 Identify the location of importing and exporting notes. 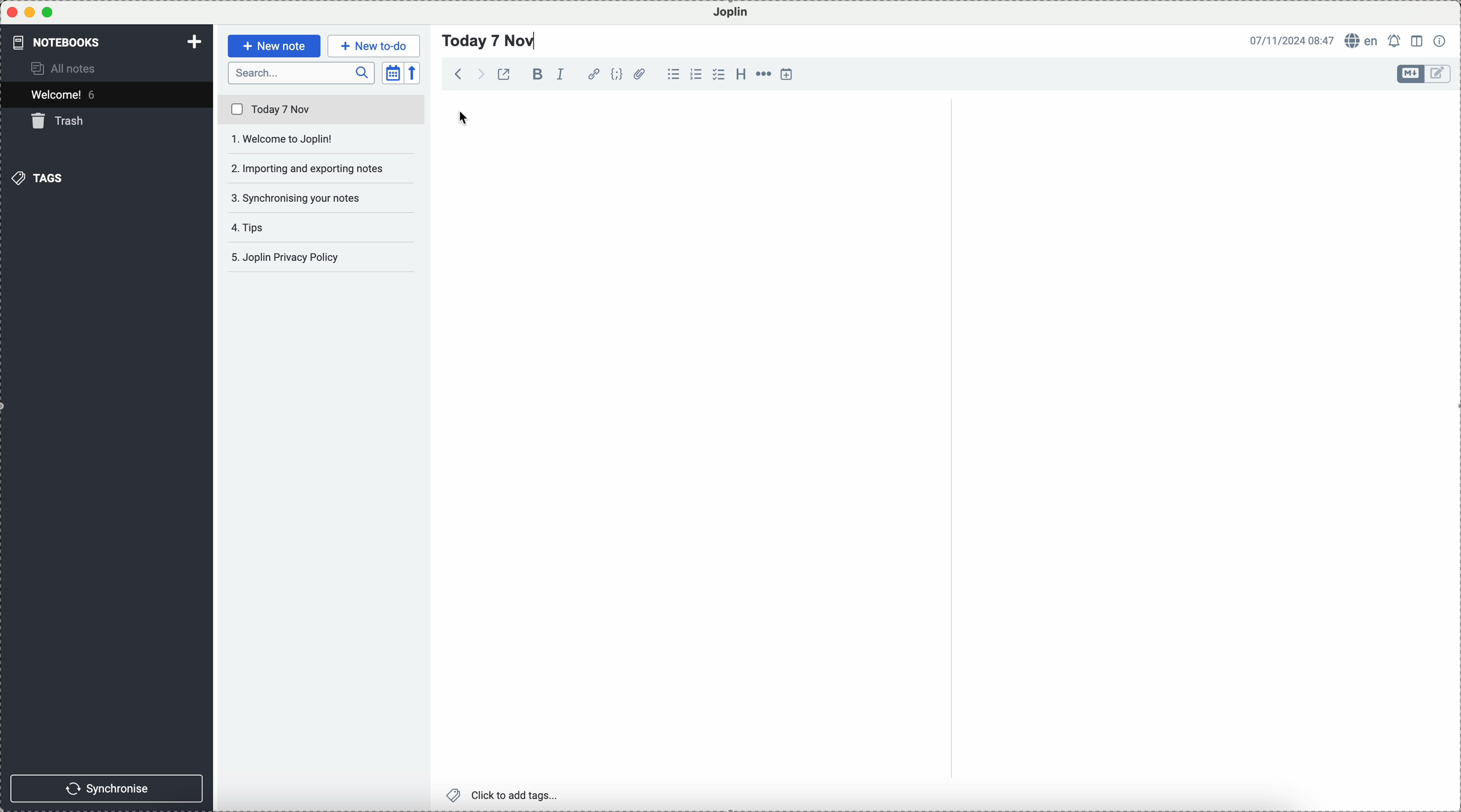
(323, 168).